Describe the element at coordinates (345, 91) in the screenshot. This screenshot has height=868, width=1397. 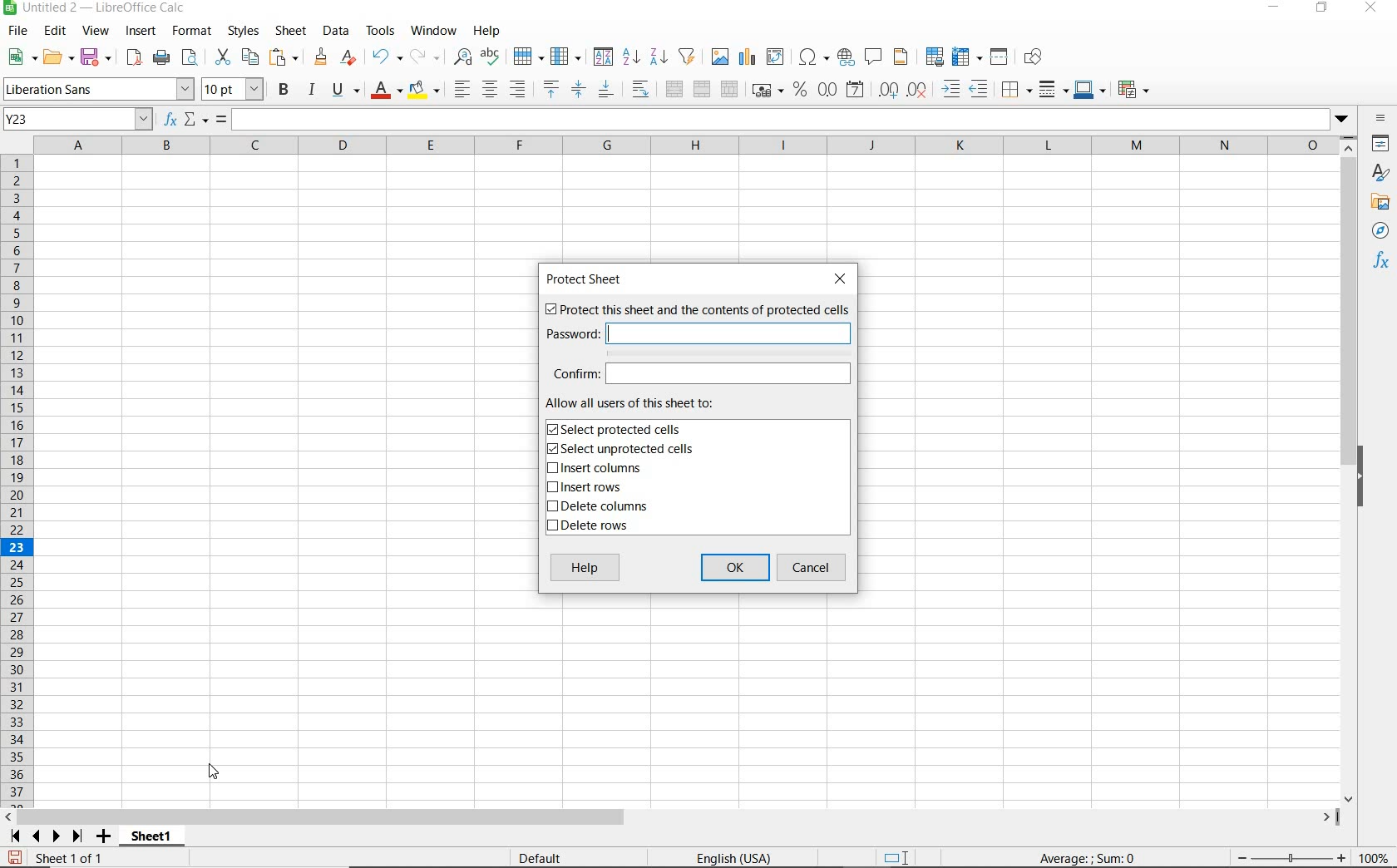
I see `UNDERLINE` at that location.